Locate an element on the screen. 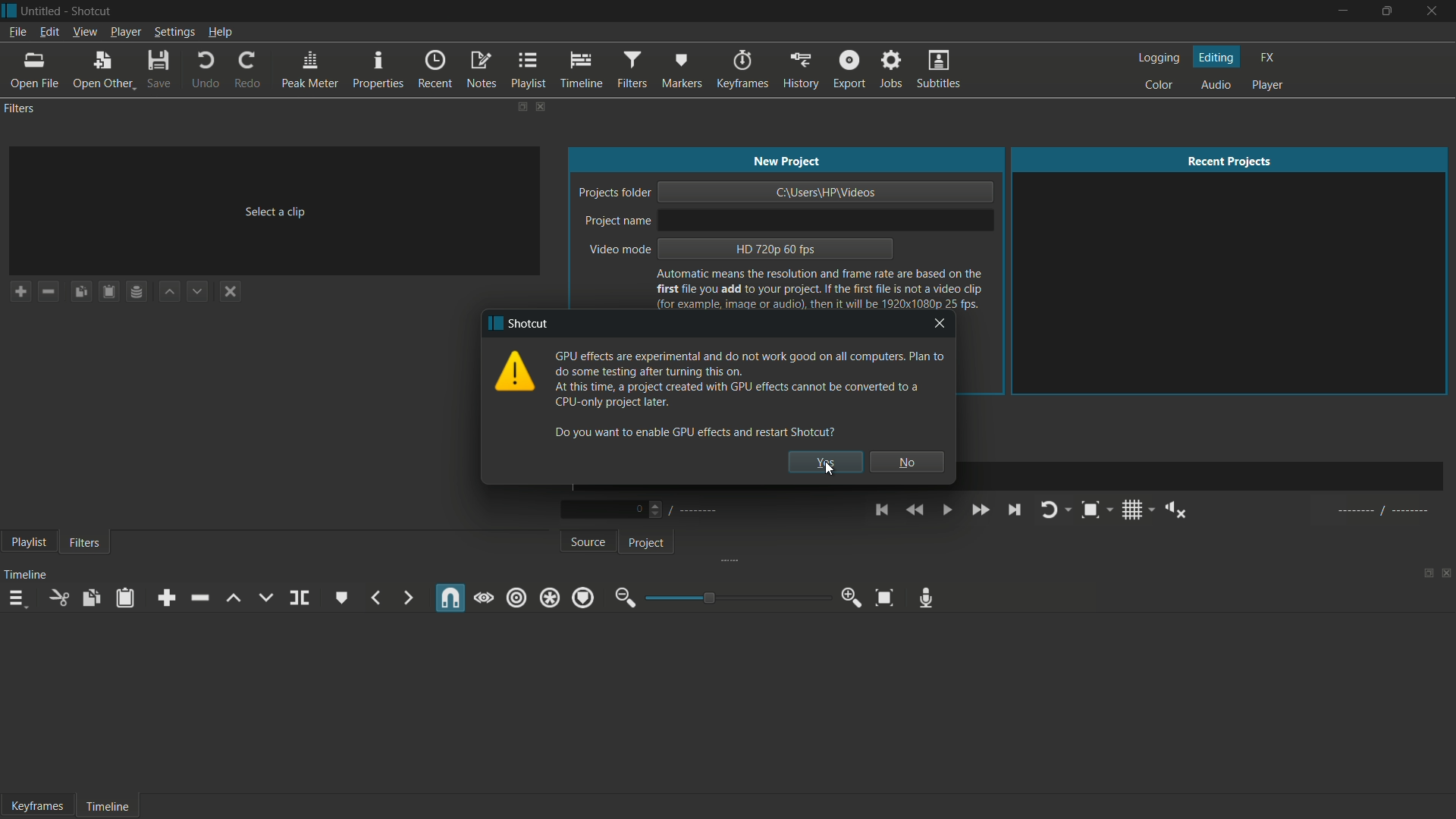 This screenshot has height=819, width=1456. file menu is located at coordinates (14, 33).